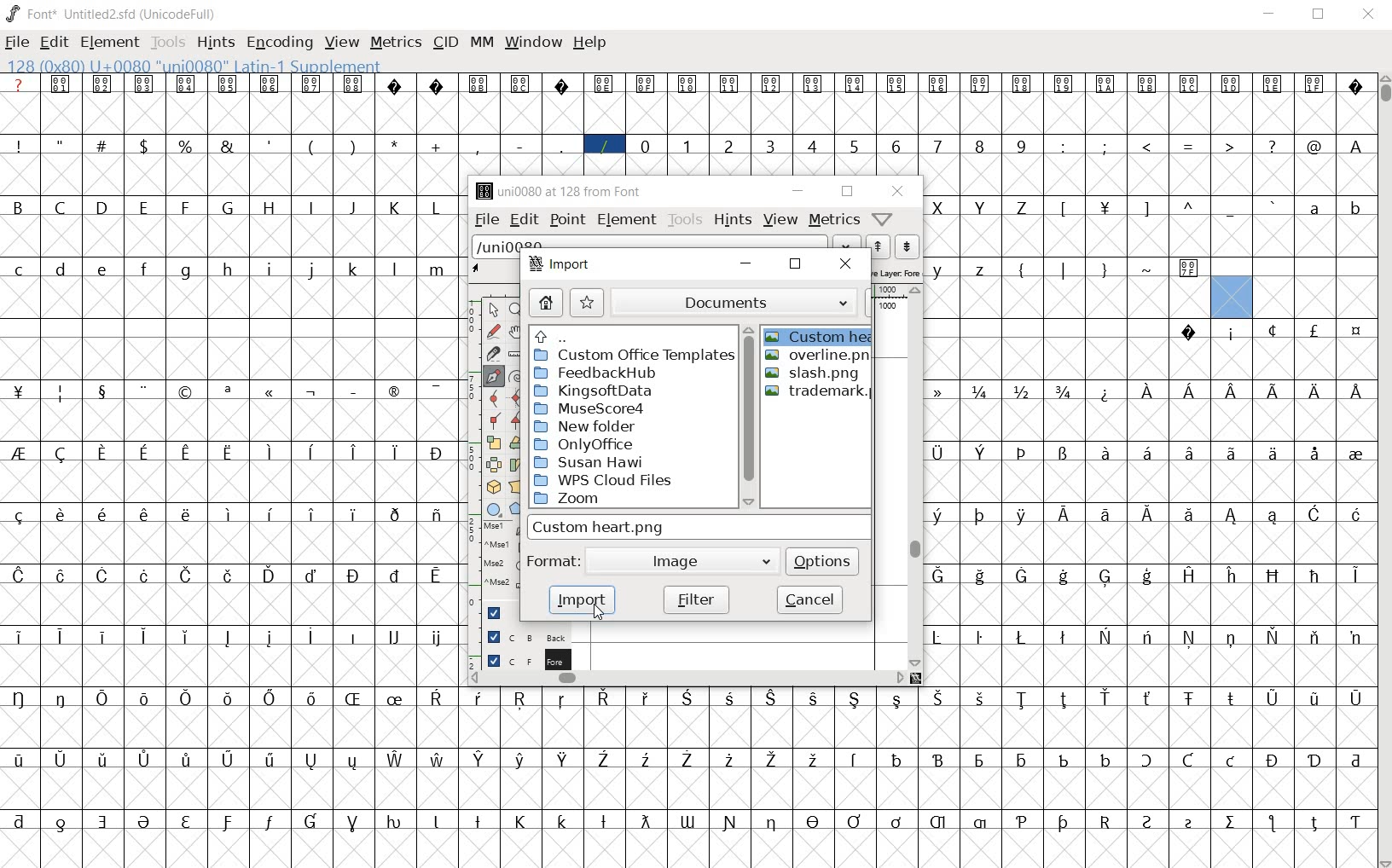 The height and width of the screenshot is (868, 1392). What do you see at coordinates (1274, 205) in the screenshot?
I see `glyph` at bounding box center [1274, 205].